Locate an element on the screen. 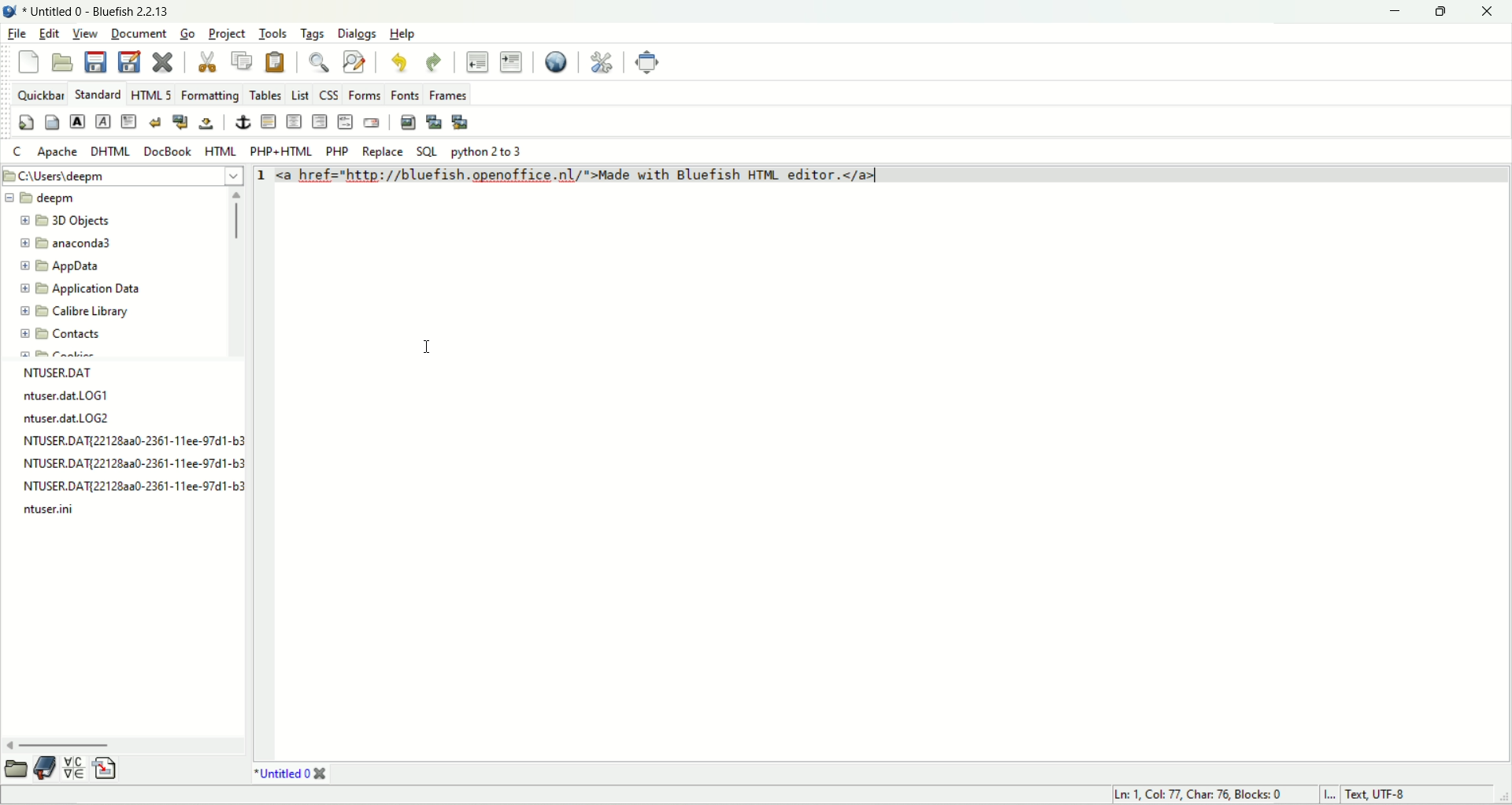 Image resolution: width=1512 pixels, height=805 pixels. right justify is located at coordinates (322, 121).